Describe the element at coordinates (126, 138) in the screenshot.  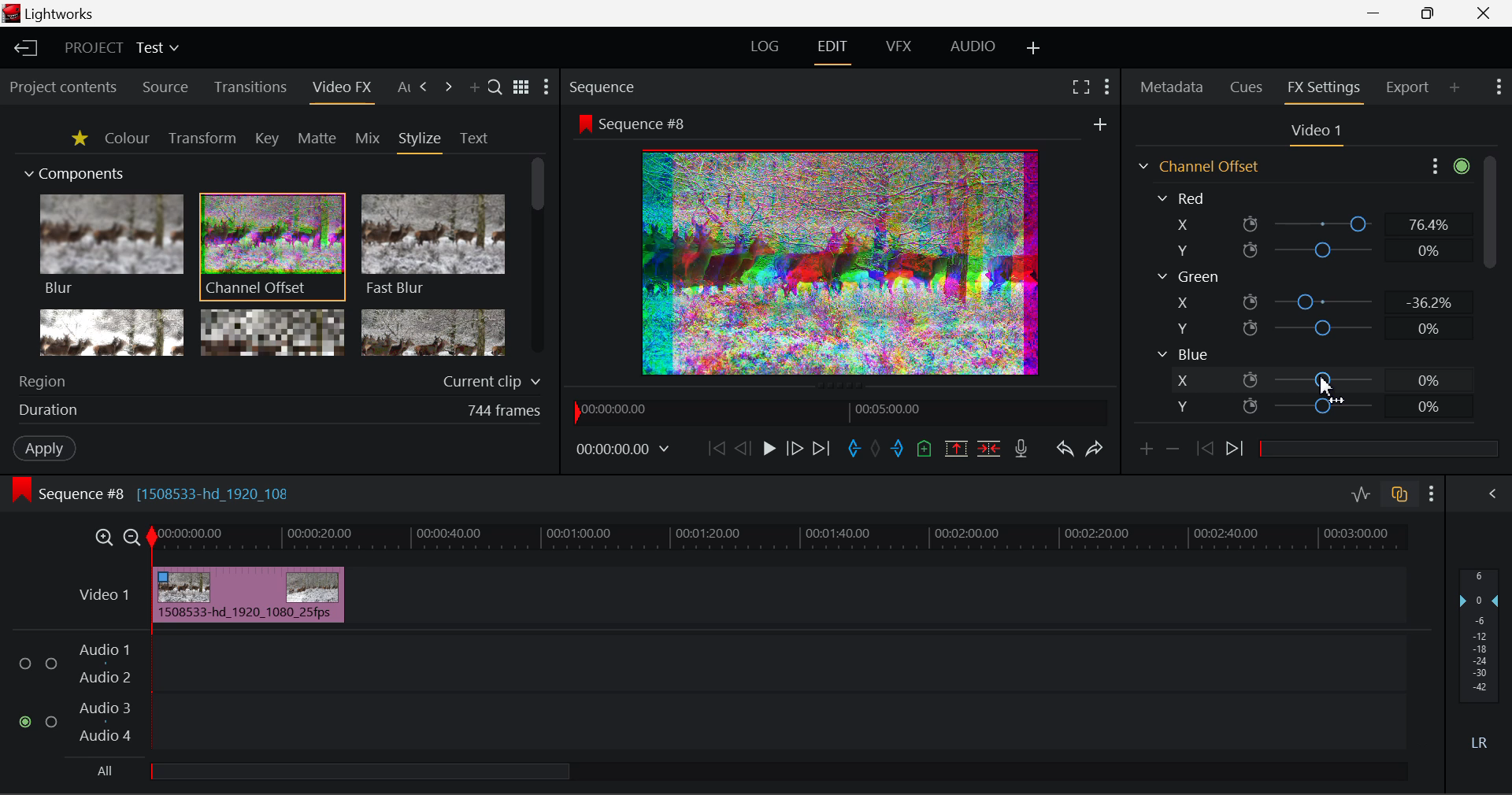
I see `Colour` at that location.